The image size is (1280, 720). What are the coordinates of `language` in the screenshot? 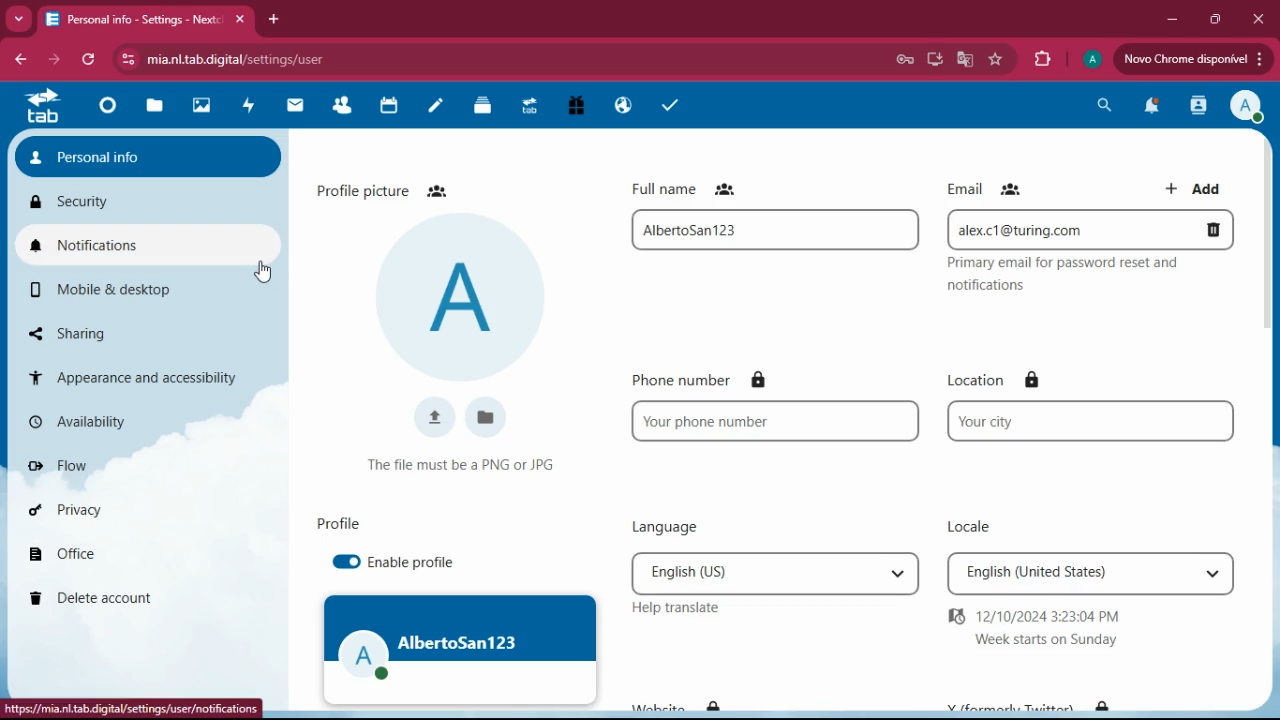 It's located at (775, 572).